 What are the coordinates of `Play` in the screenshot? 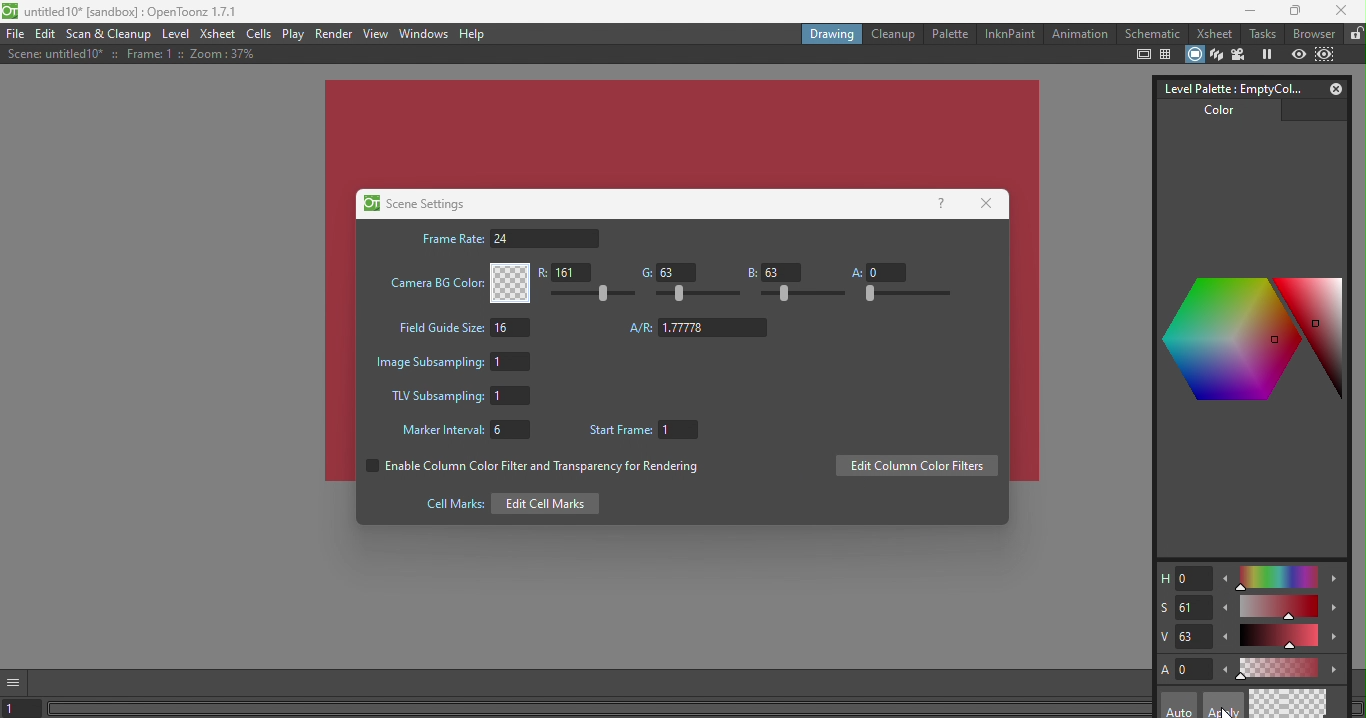 It's located at (294, 34).